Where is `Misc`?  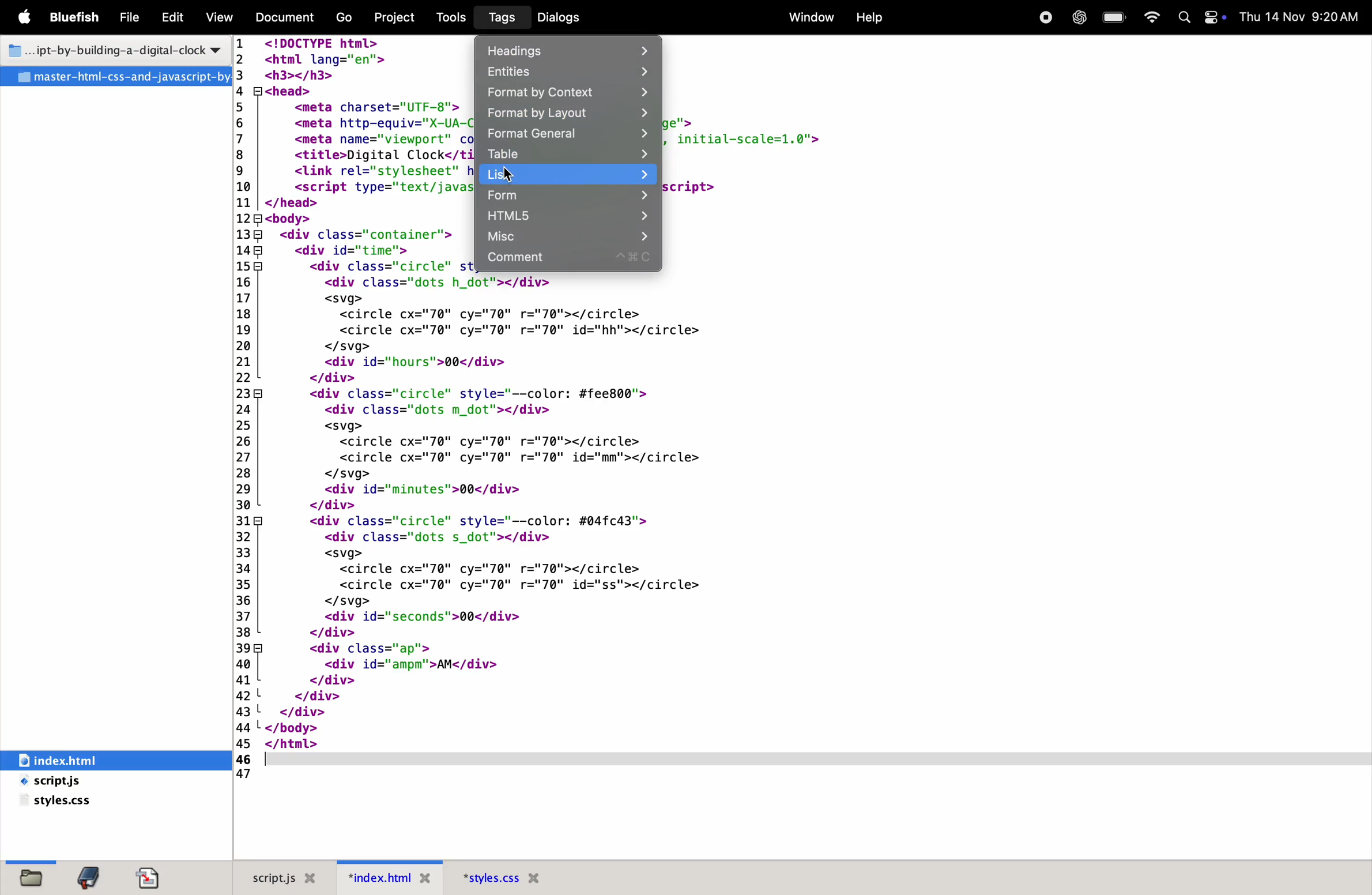
Misc is located at coordinates (564, 237).